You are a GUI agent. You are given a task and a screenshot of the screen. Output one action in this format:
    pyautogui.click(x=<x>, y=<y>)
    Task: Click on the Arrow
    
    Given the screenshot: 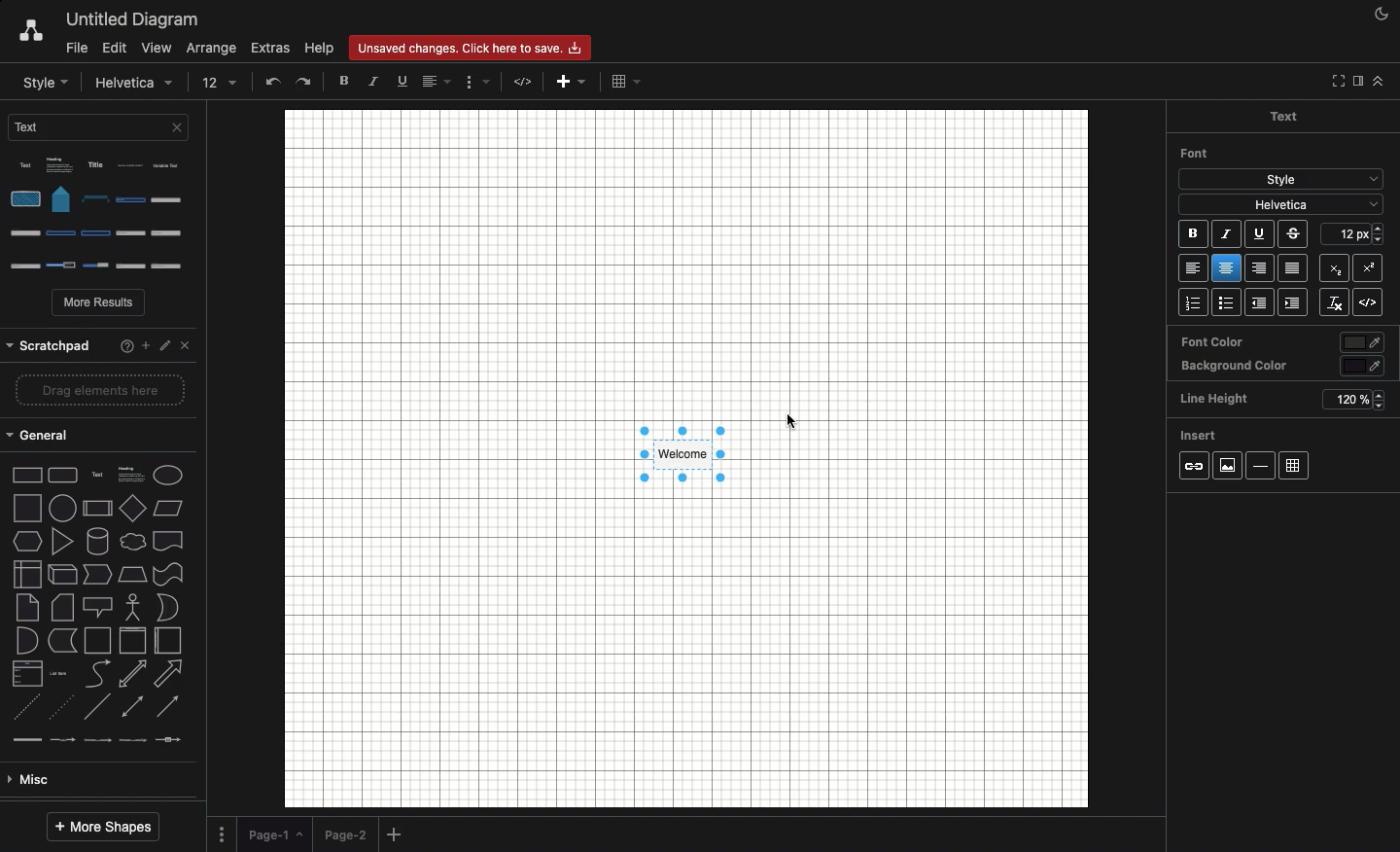 What is the action you would take?
    pyautogui.click(x=525, y=81)
    